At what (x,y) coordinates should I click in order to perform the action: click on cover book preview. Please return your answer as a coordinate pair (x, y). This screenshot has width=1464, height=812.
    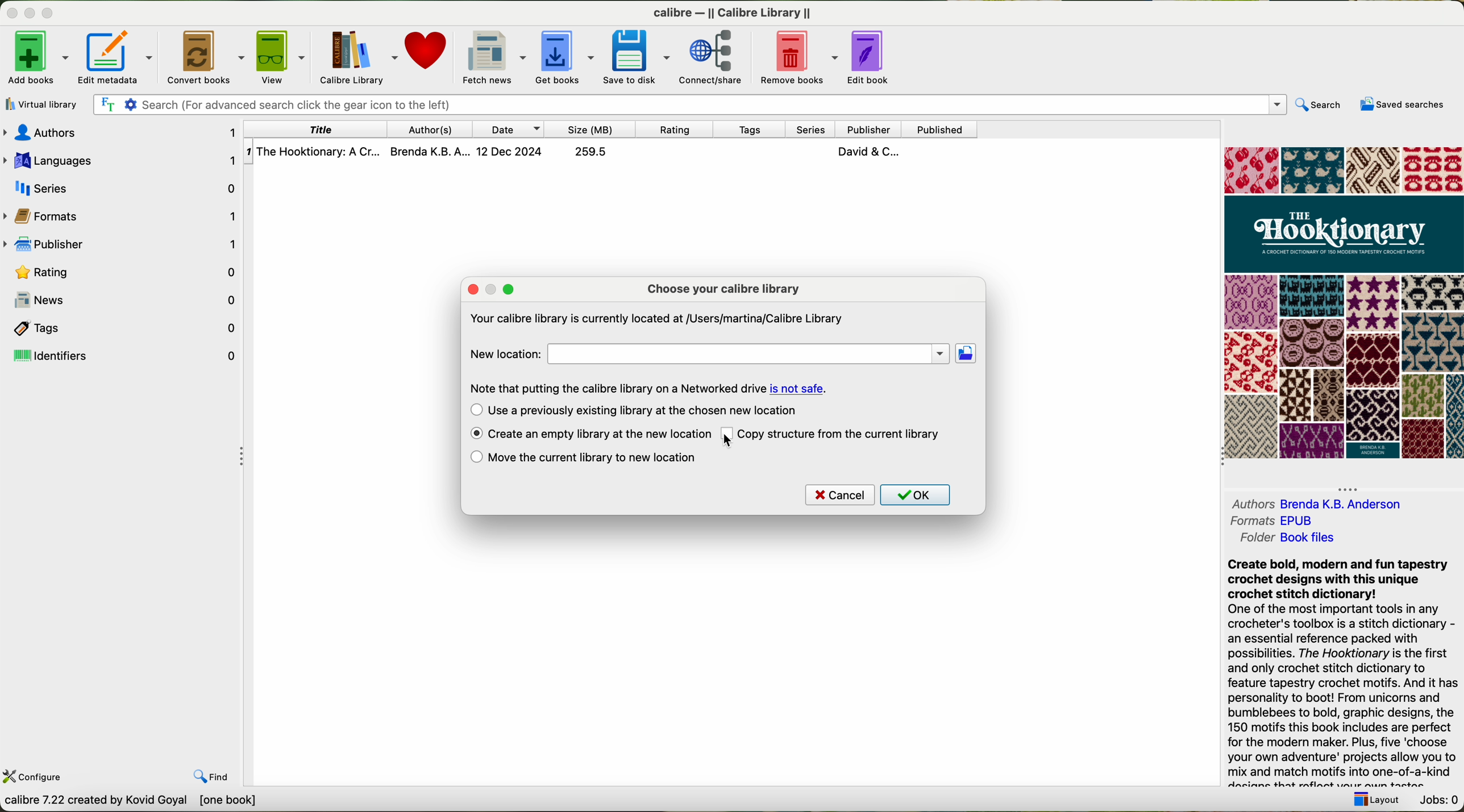
    Looking at the image, I should click on (1342, 303).